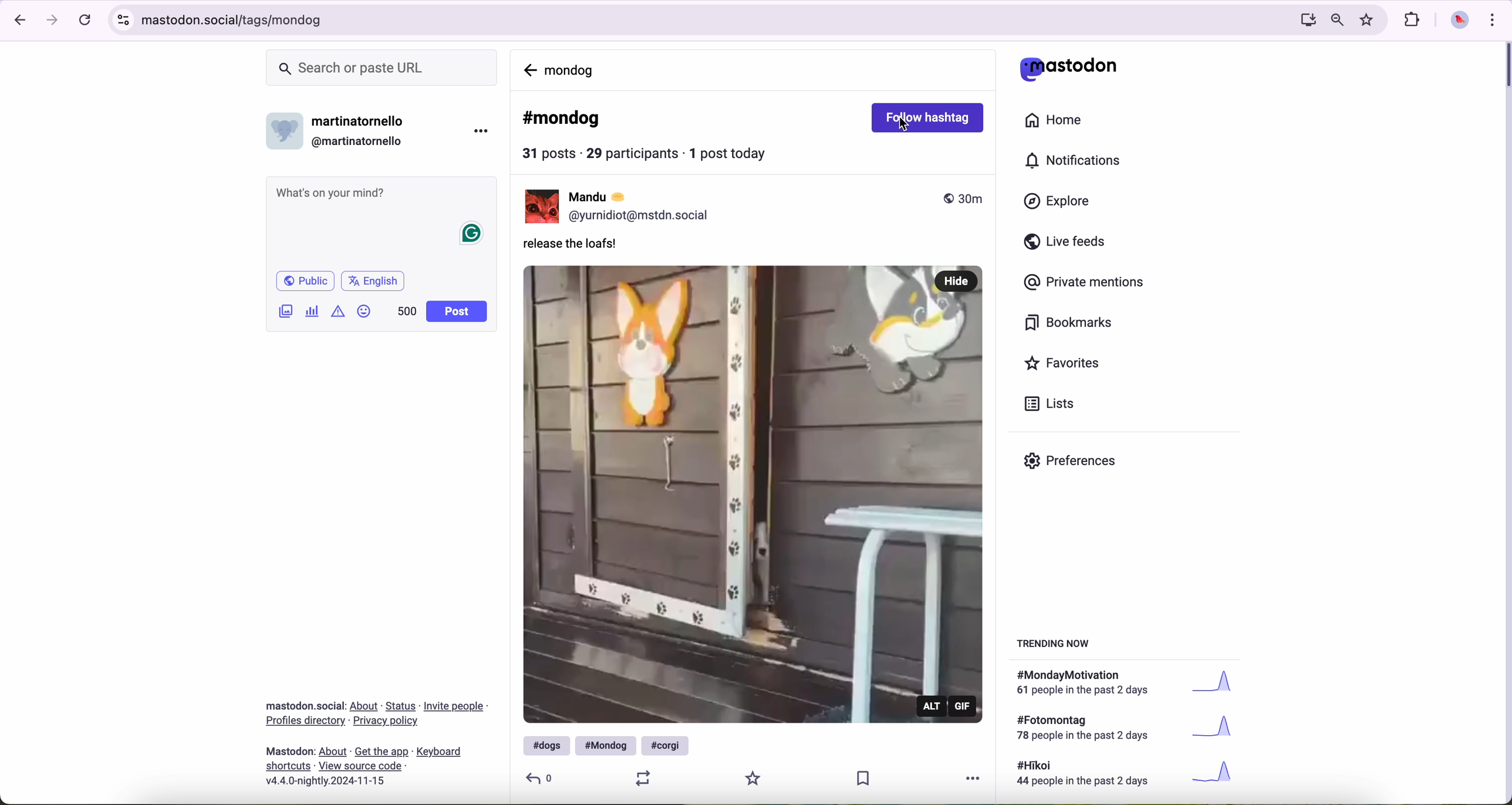 This screenshot has height=805, width=1512. What do you see at coordinates (640, 777) in the screenshot?
I see `retweet` at bounding box center [640, 777].